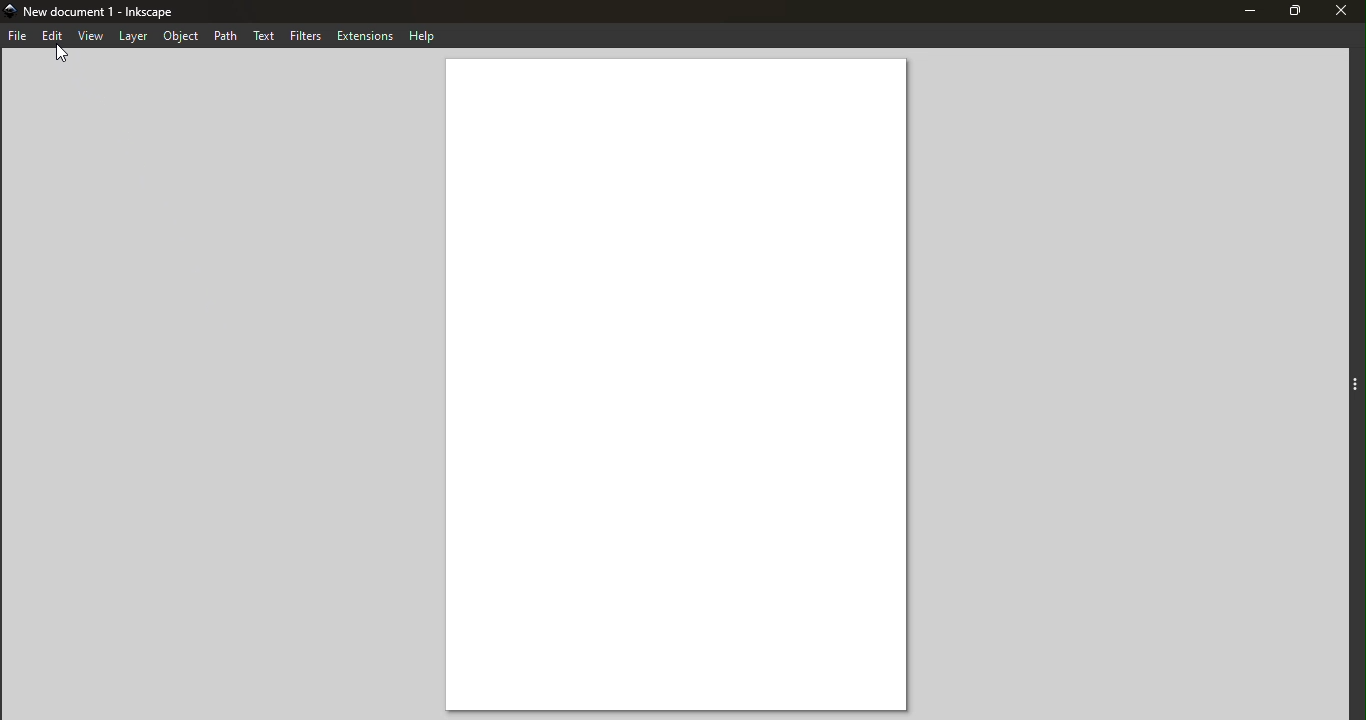  I want to click on New document 1-Inbcipe, so click(104, 11).